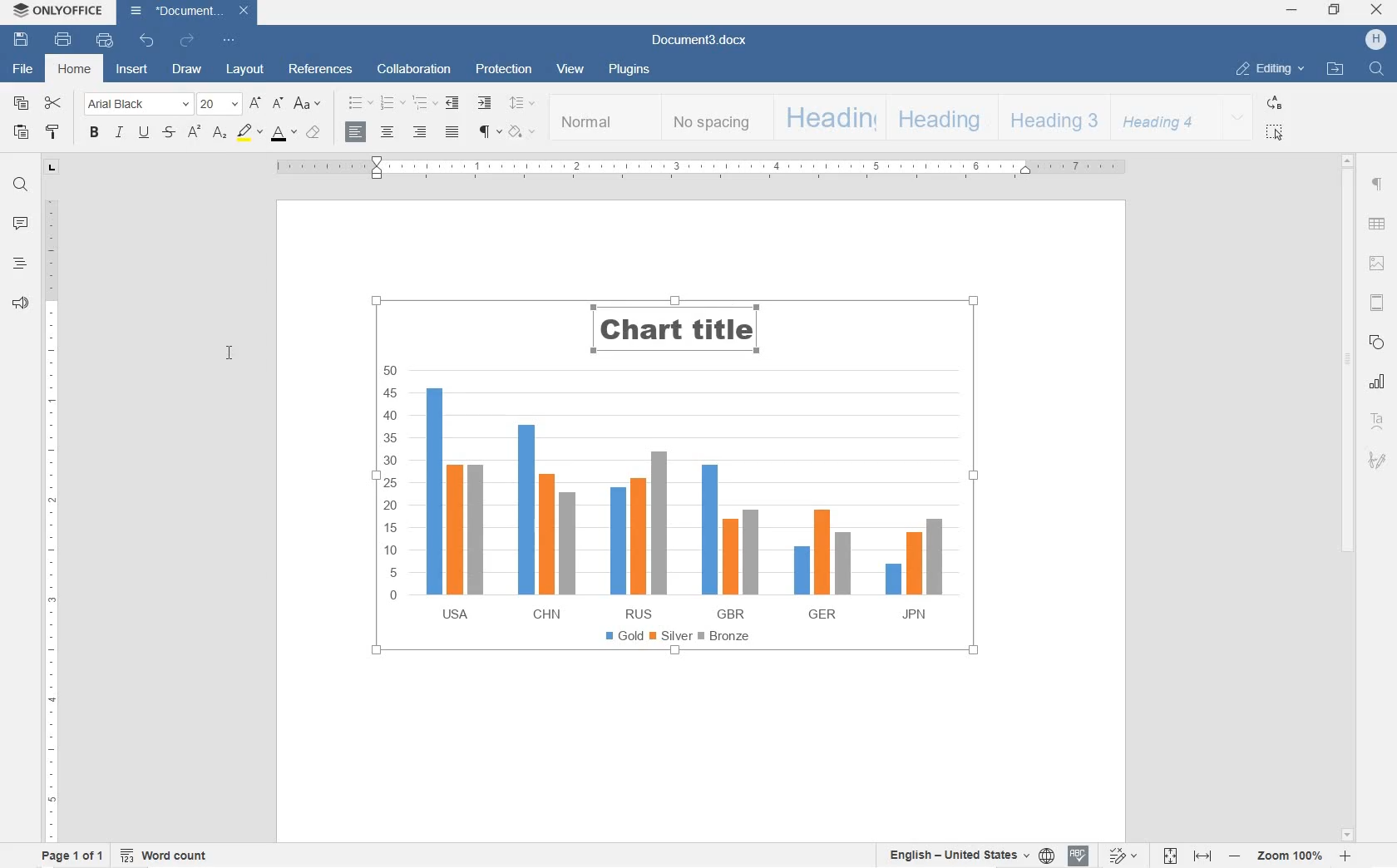 The height and width of the screenshot is (868, 1397). What do you see at coordinates (1377, 462) in the screenshot?
I see `SIGNATURE` at bounding box center [1377, 462].